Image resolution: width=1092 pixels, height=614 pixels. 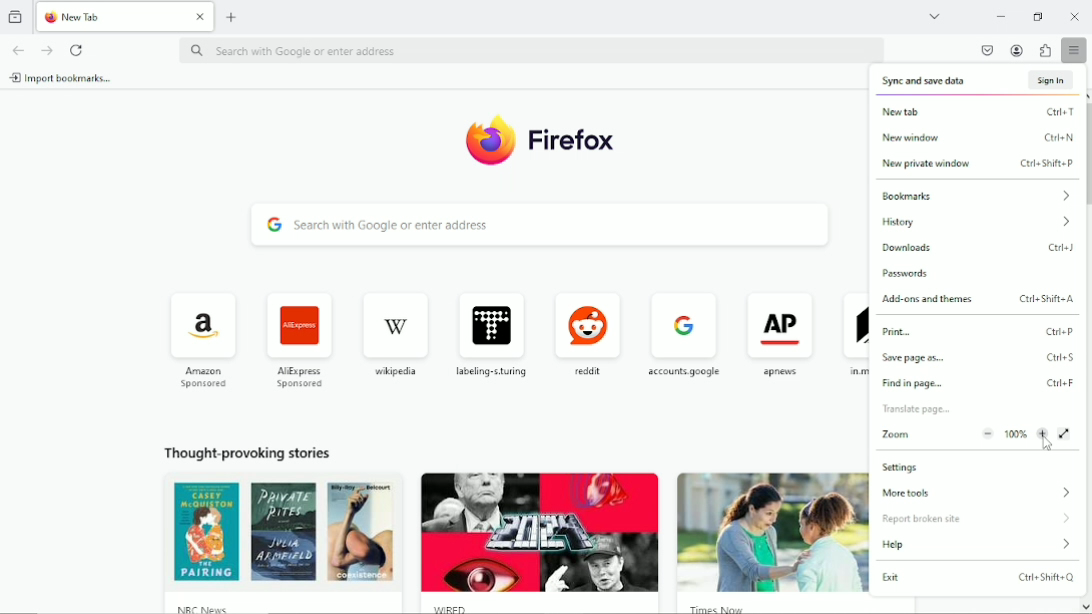 I want to click on wred, so click(x=449, y=605).